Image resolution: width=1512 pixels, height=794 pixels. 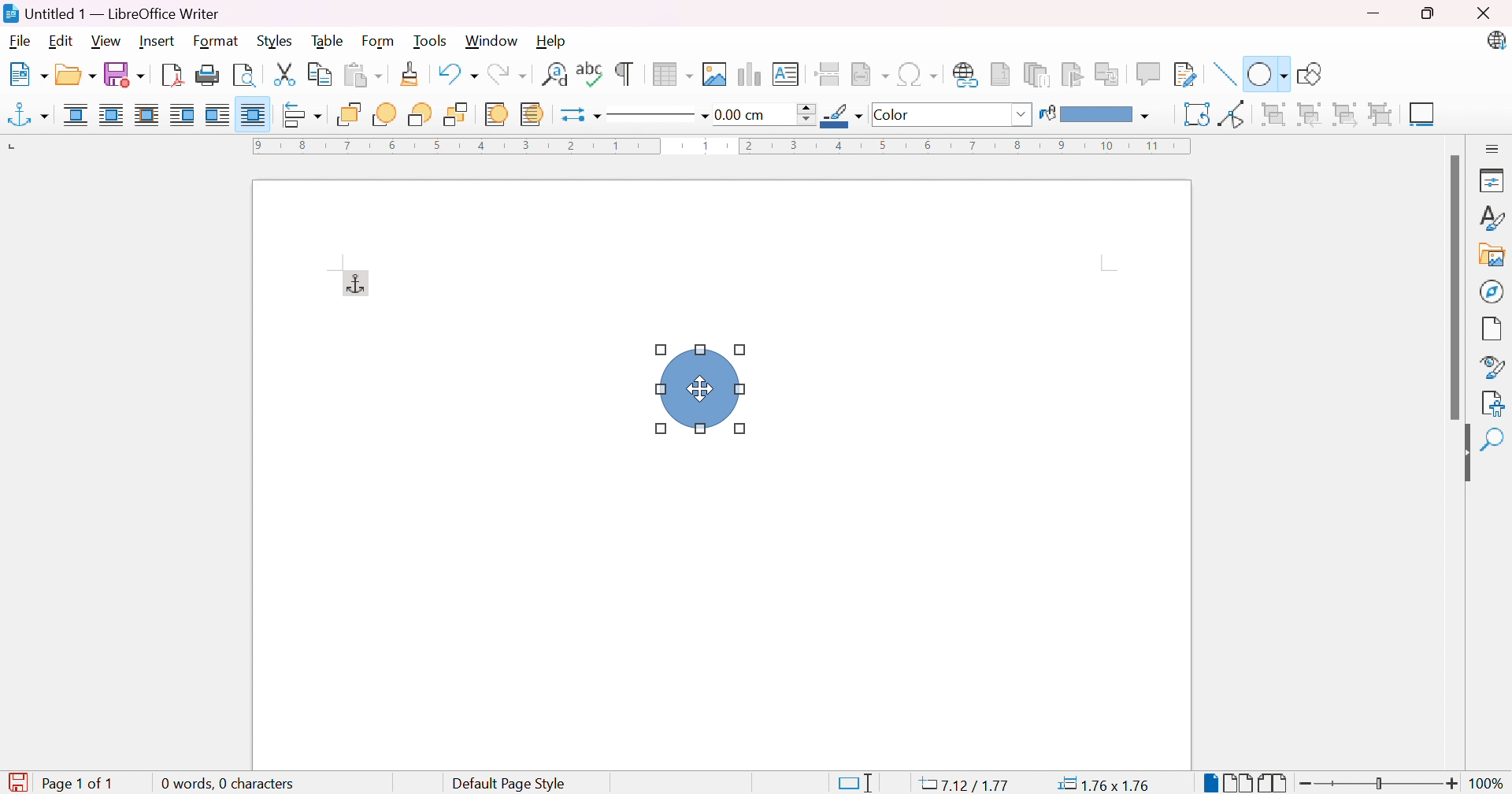 I want to click on Properties, so click(x=1495, y=180).